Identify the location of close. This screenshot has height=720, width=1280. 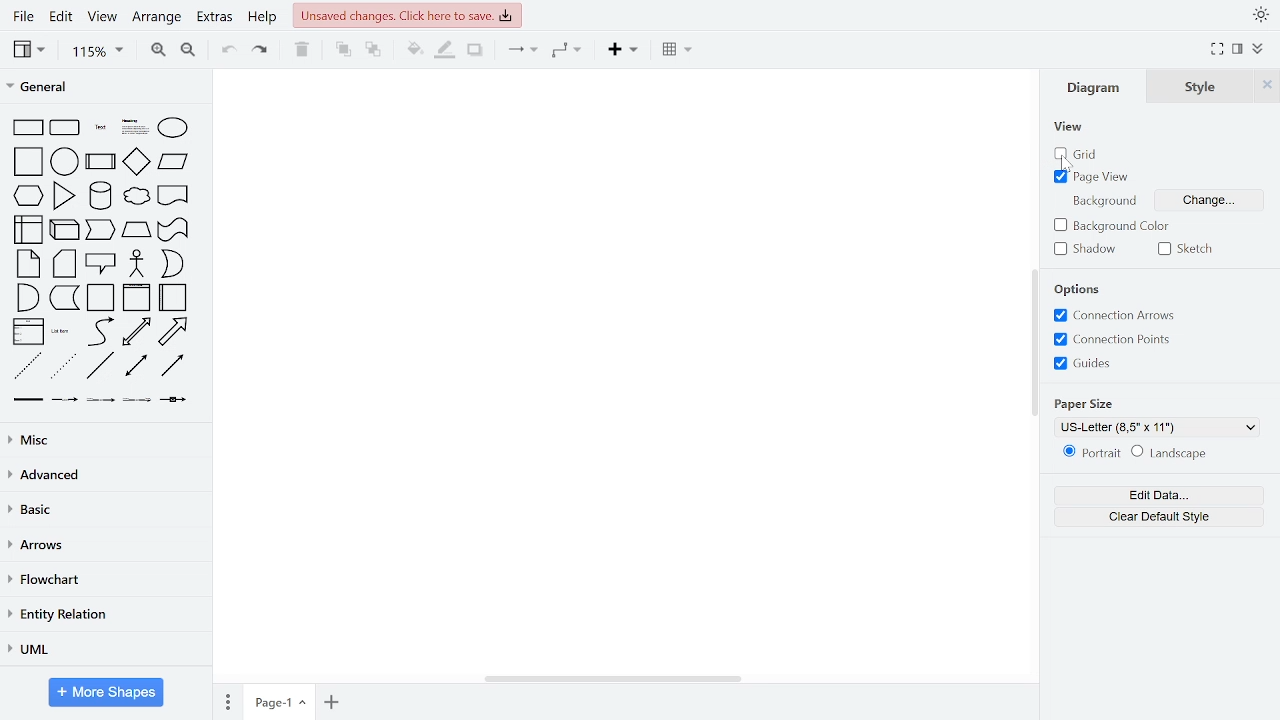
(1266, 88).